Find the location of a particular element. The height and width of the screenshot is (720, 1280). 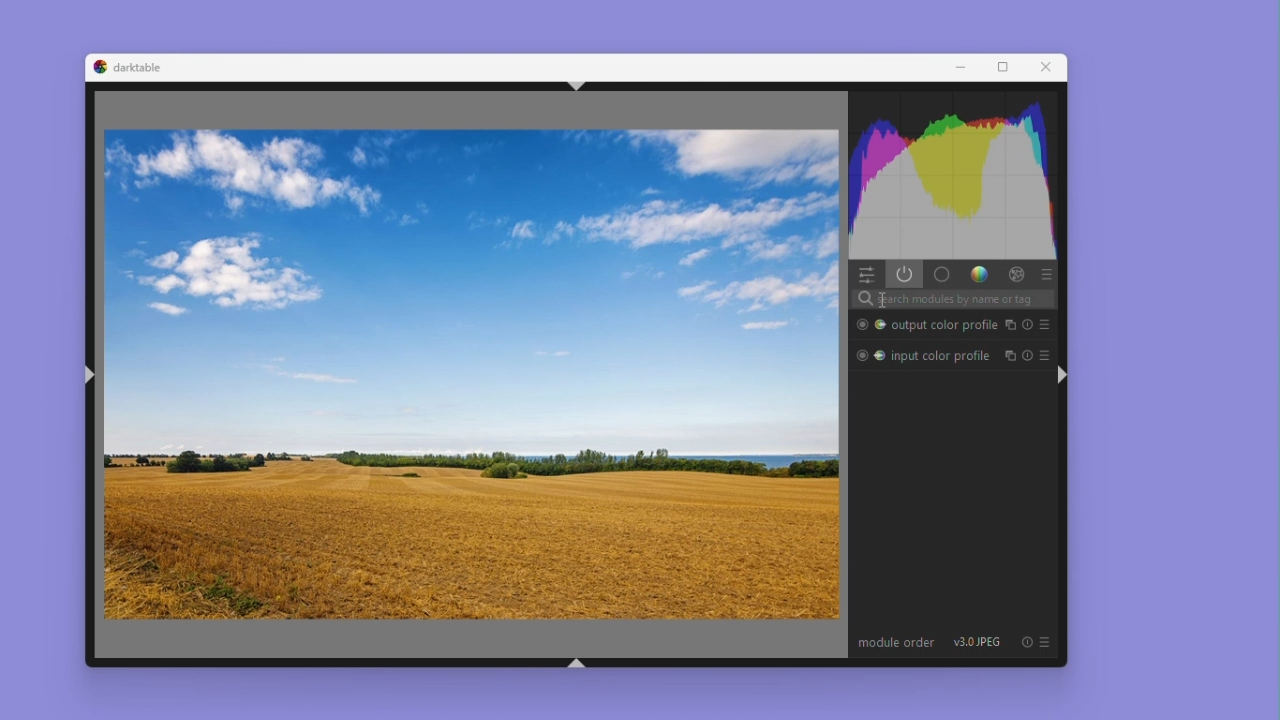

output color profile is located at coordinates (945, 325).